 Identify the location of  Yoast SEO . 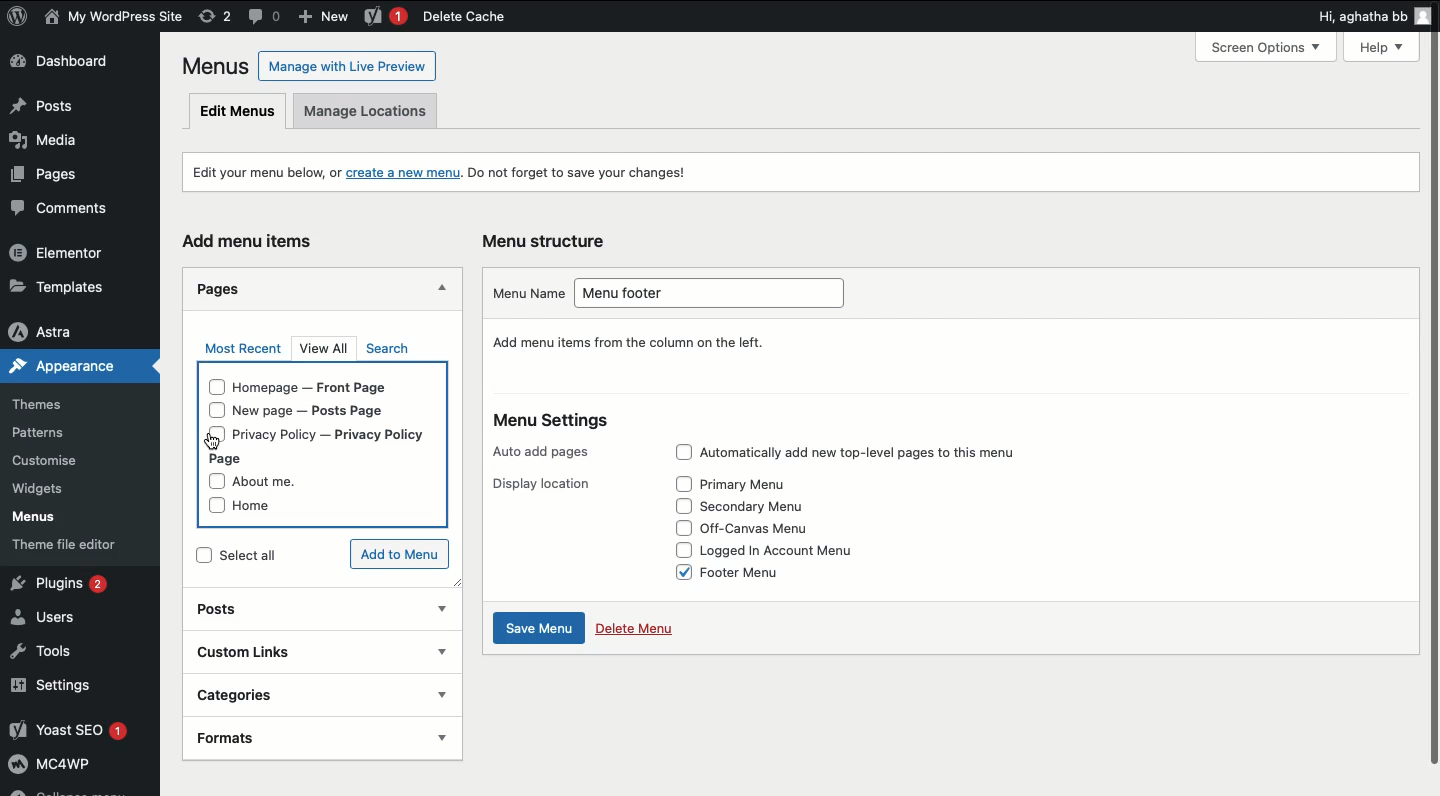
(78, 731).